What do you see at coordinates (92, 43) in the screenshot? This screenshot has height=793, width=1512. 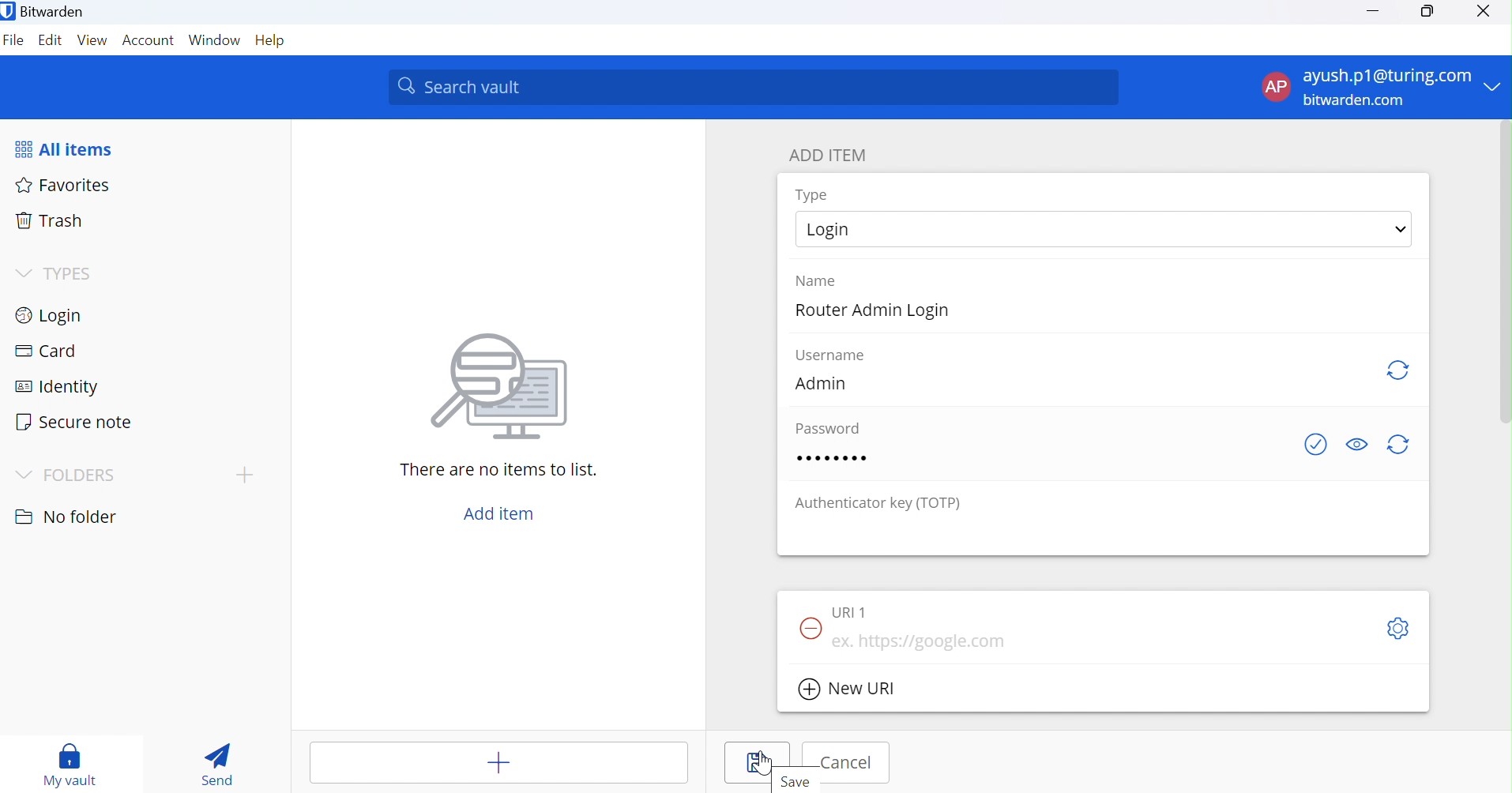 I see `View` at bounding box center [92, 43].